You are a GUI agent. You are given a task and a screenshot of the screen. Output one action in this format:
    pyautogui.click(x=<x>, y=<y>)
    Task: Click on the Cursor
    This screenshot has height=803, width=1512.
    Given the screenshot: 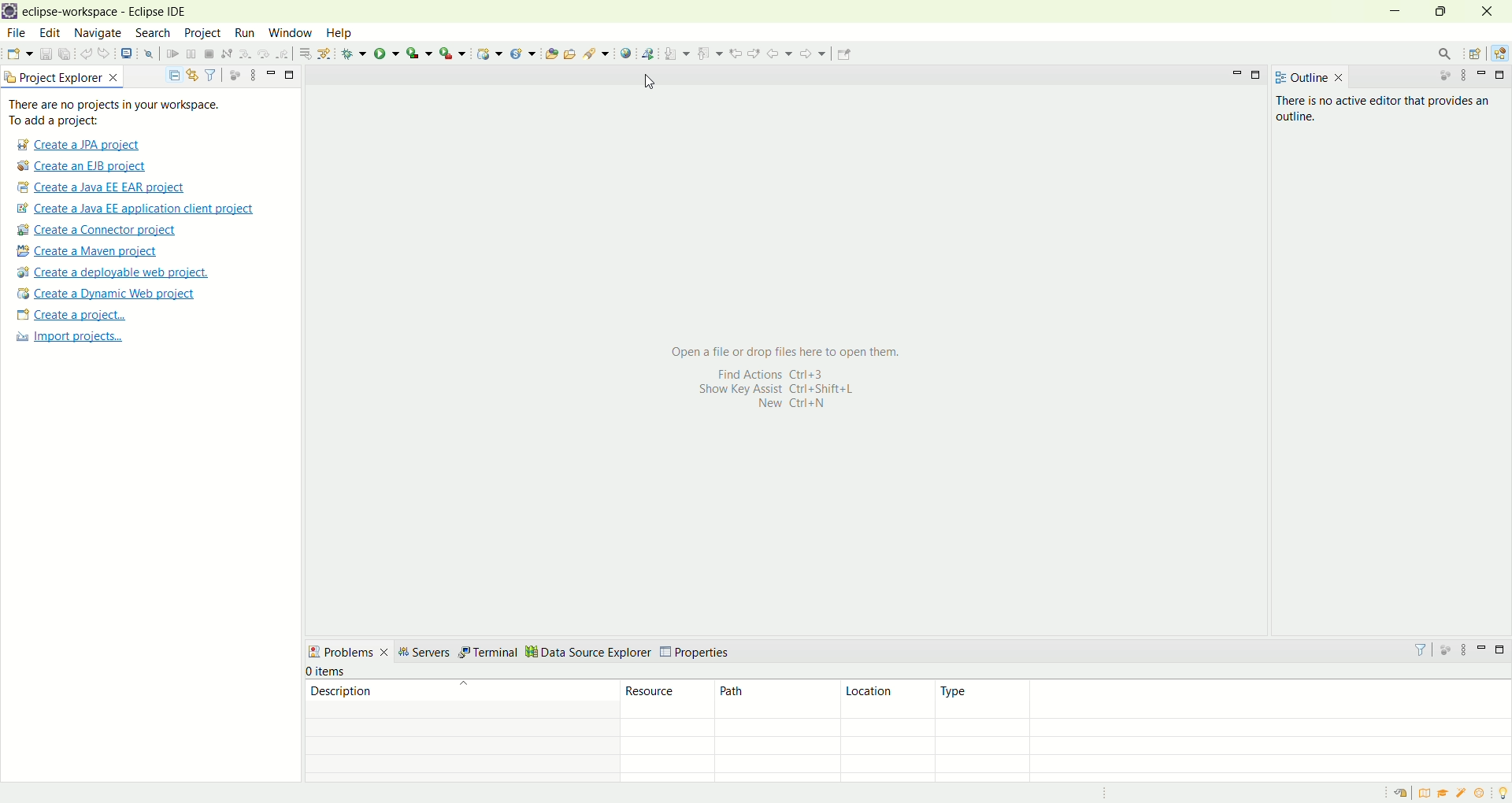 What is the action you would take?
    pyautogui.click(x=653, y=83)
    